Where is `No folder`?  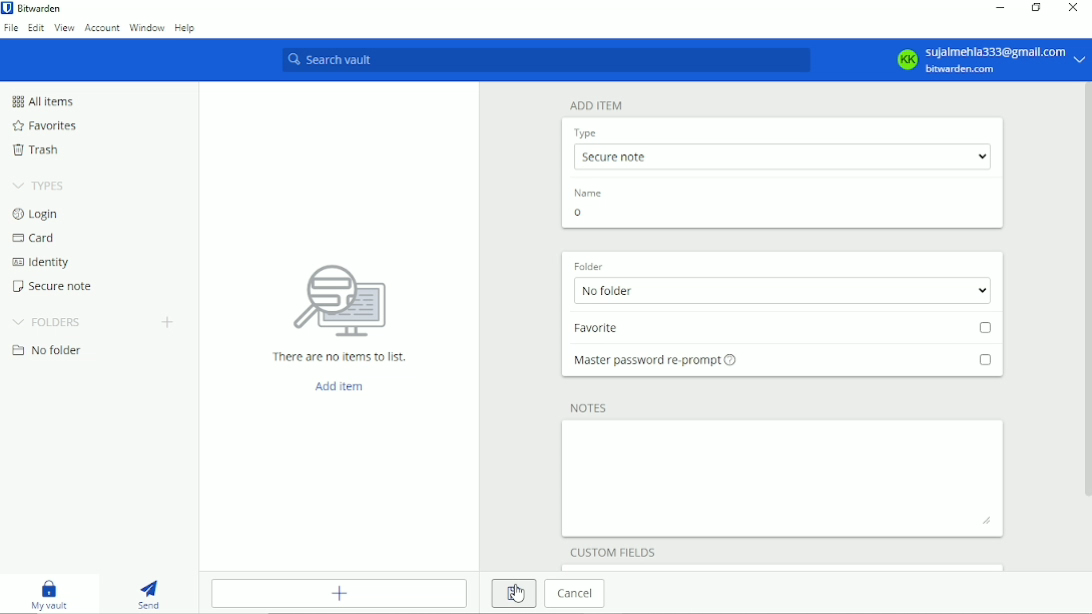
No folder is located at coordinates (779, 291).